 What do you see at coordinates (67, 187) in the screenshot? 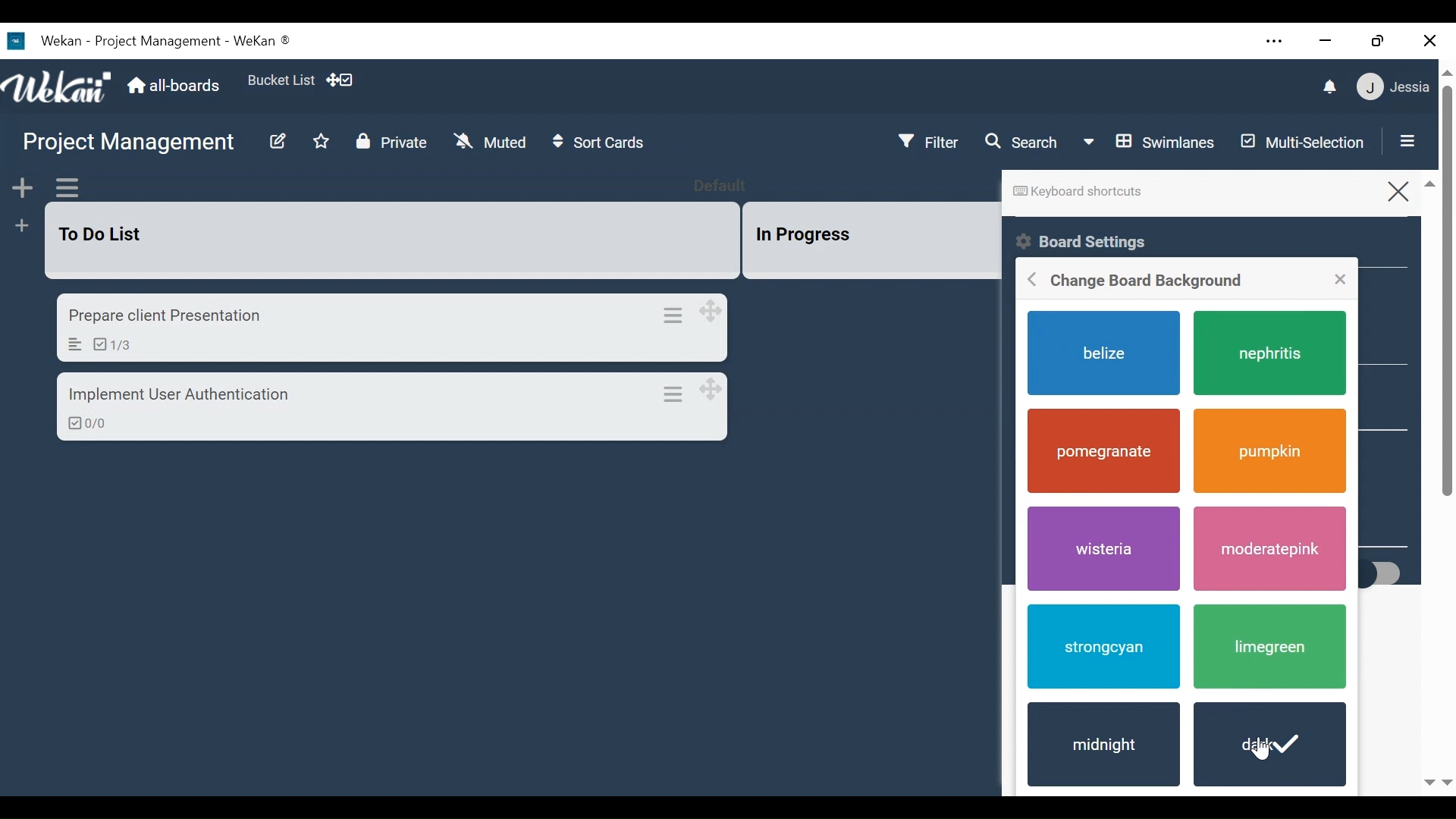
I see `Swimlane actions` at bounding box center [67, 187].